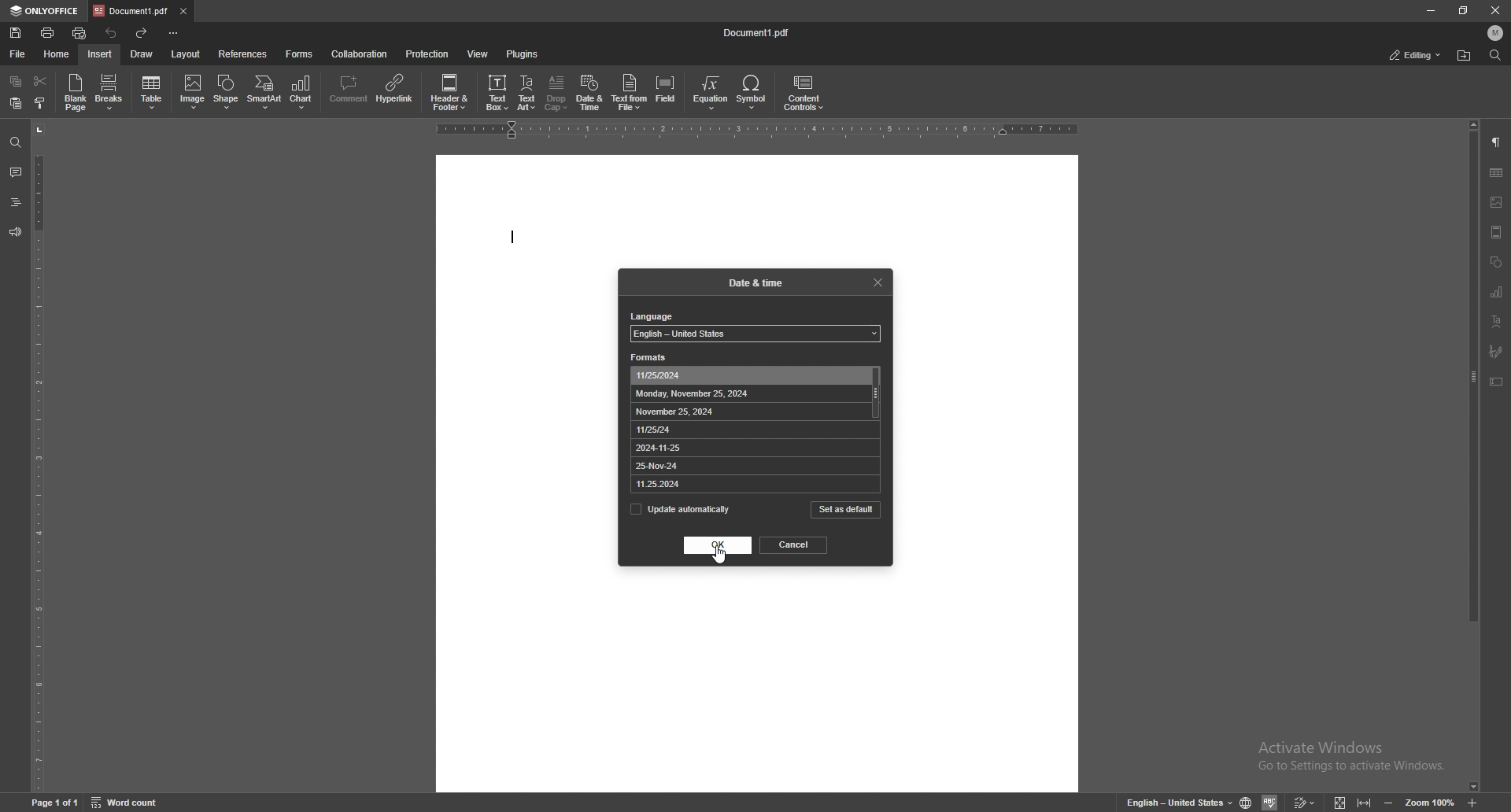 Image resolution: width=1511 pixels, height=812 pixels. Describe the element at coordinates (142, 33) in the screenshot. I see `redo` at that location.